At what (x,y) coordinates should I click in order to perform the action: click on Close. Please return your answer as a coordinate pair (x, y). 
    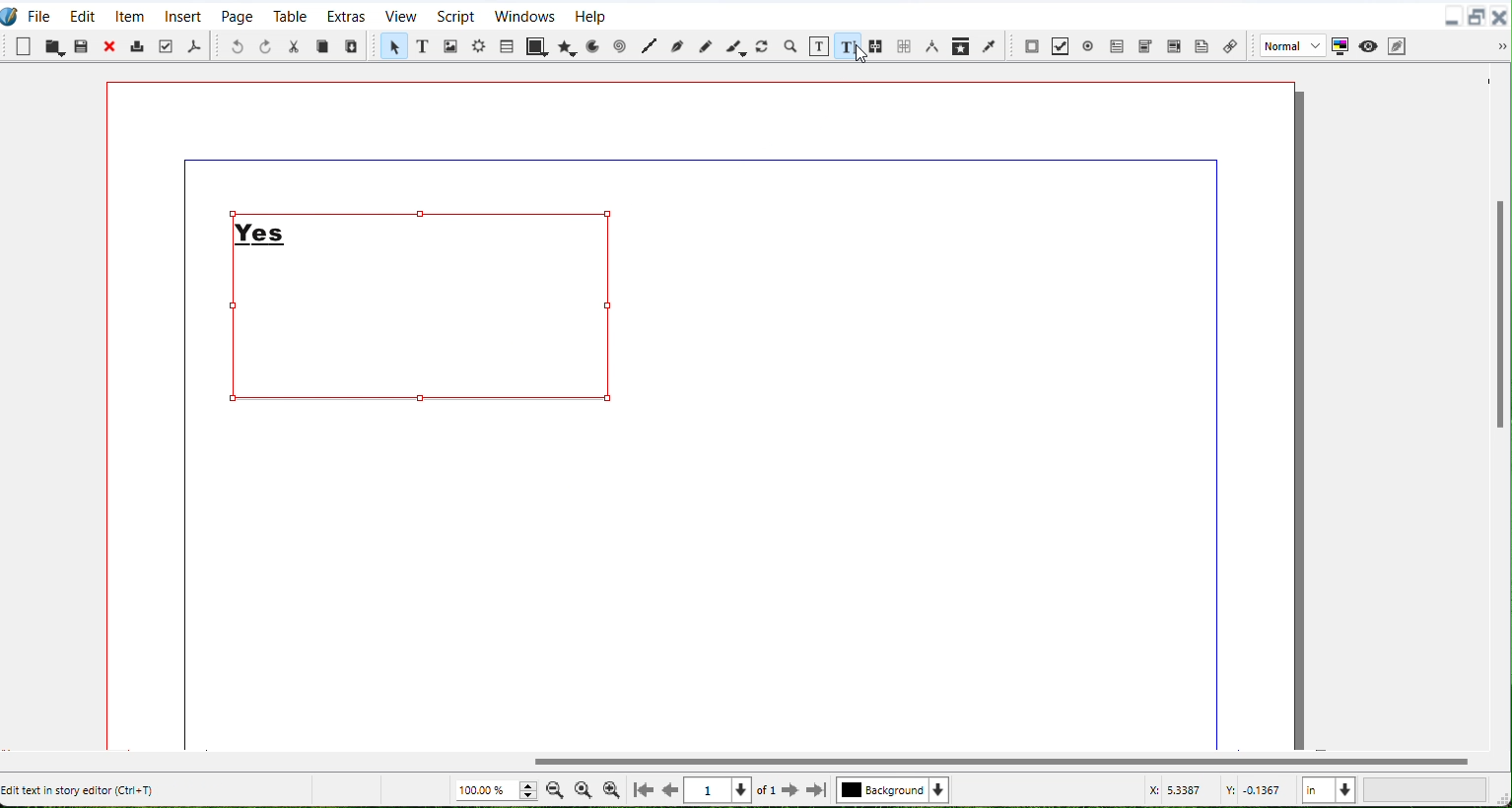
    Looking at the image, I should click on (1502, 15).